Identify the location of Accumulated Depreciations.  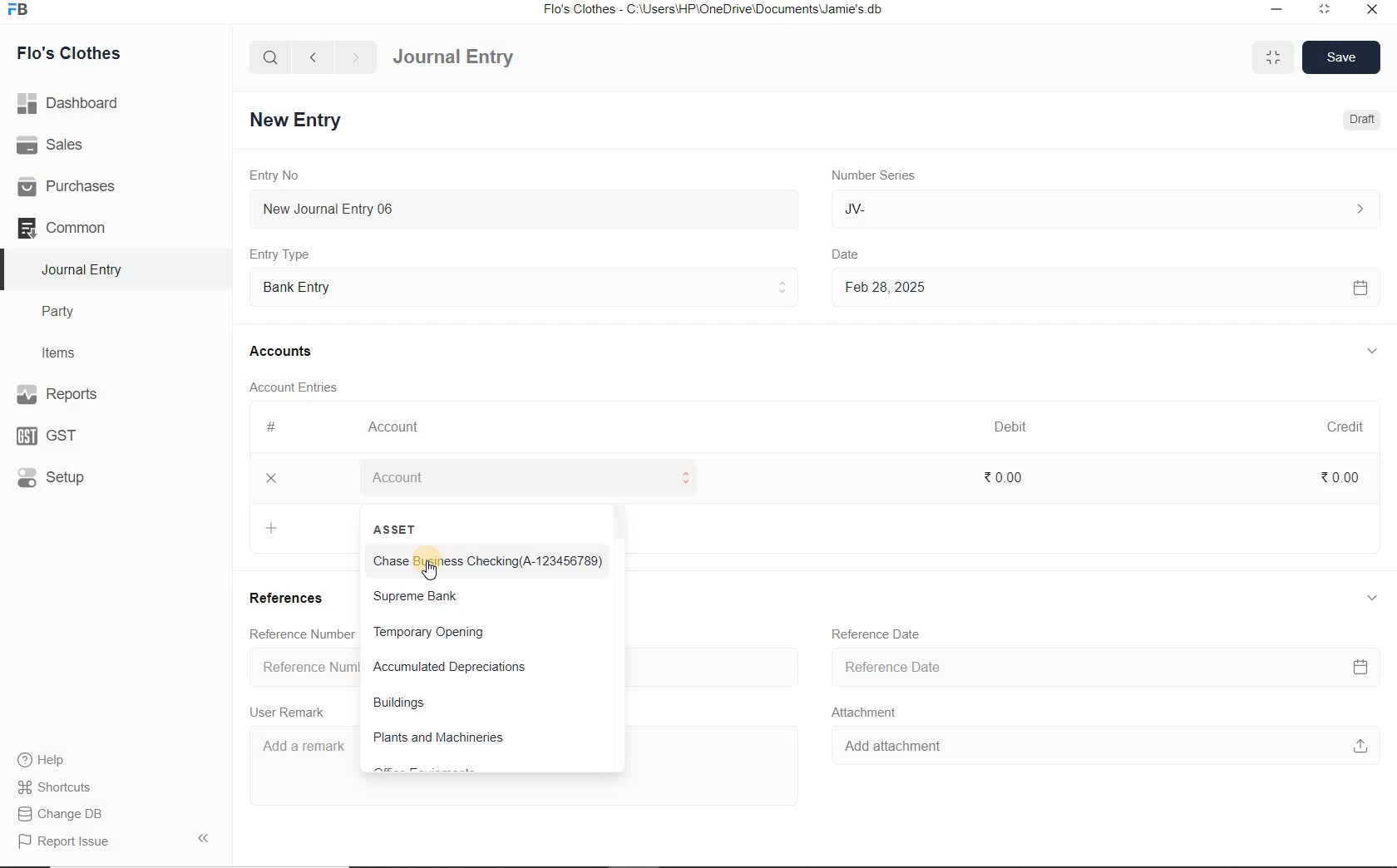
(453, 668).